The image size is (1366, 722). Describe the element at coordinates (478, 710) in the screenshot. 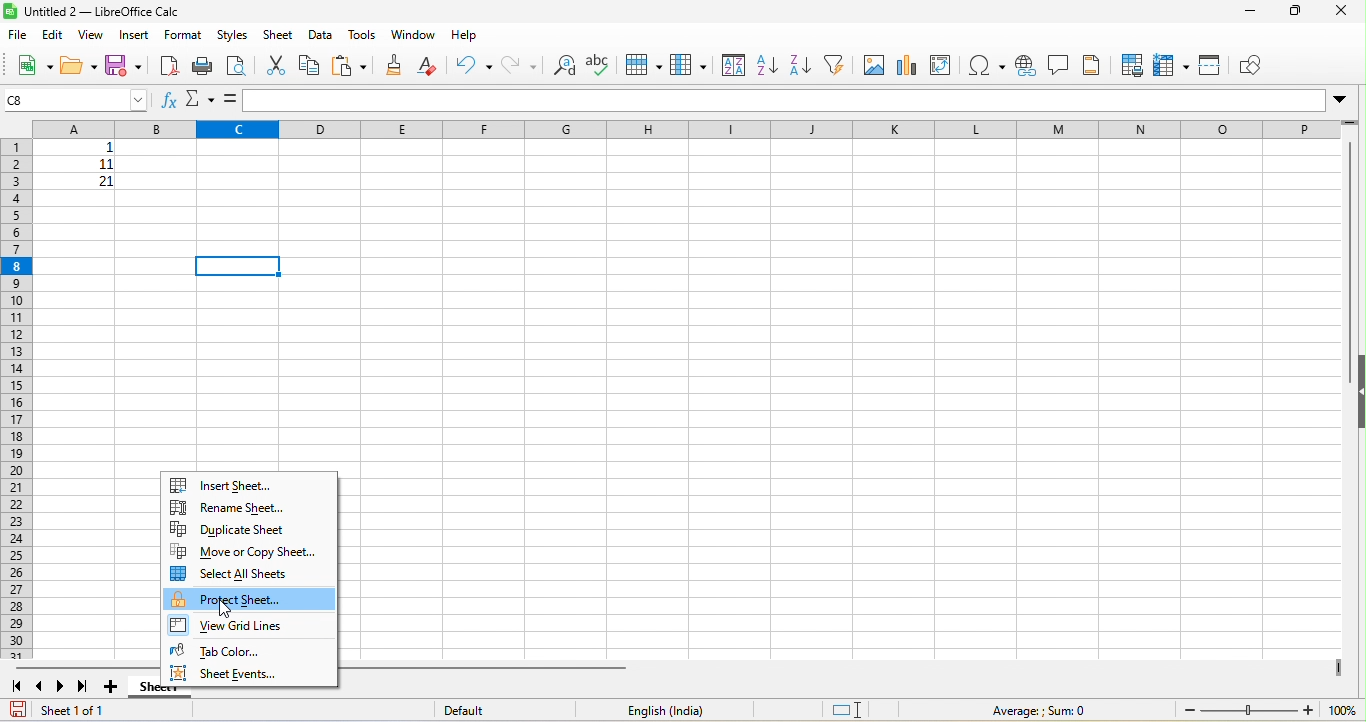

I see `default` at that location.